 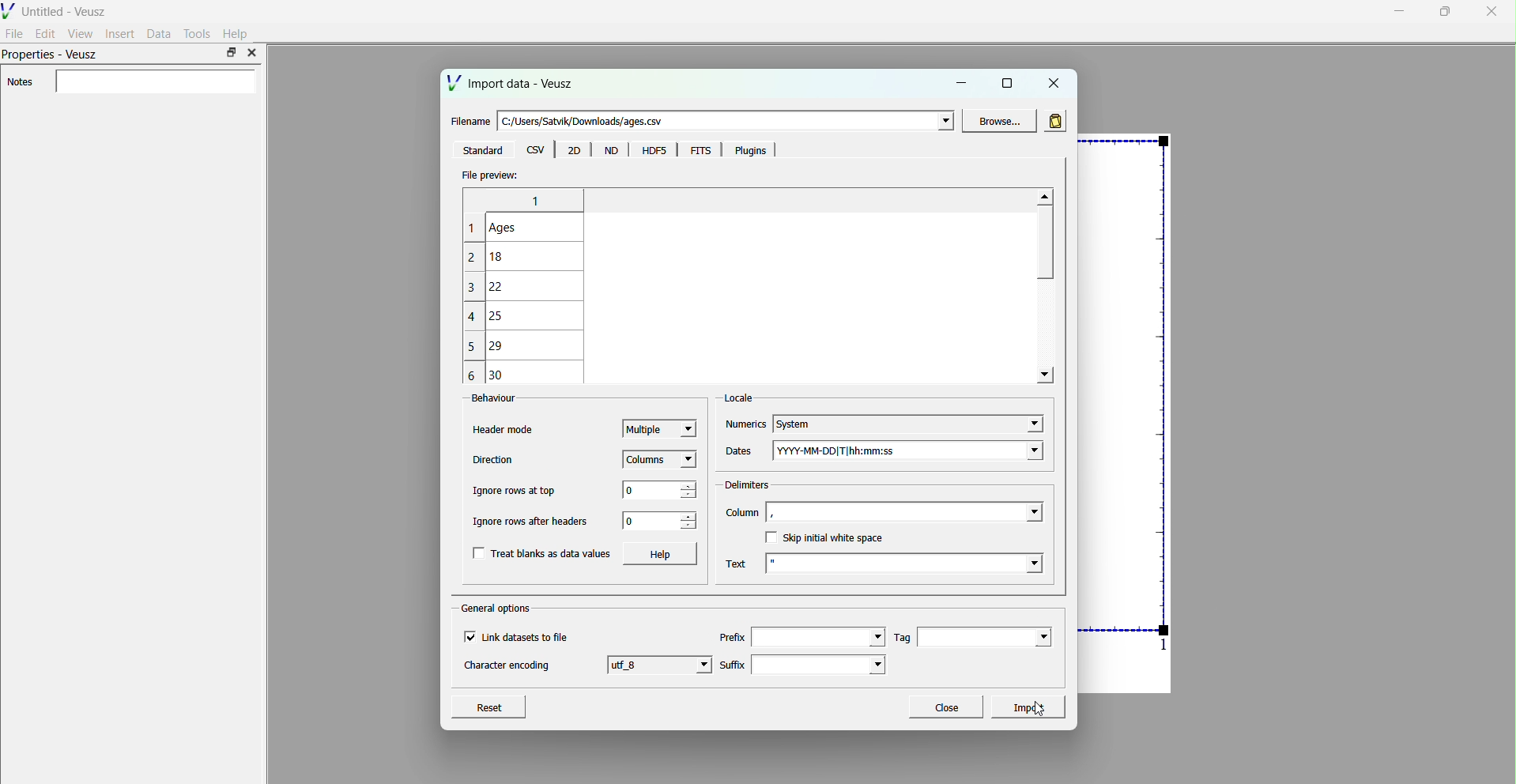 What do you see at coordinates (770, 537) in the screenshot?
I see `checkbox` at bounding box center [770, 537].